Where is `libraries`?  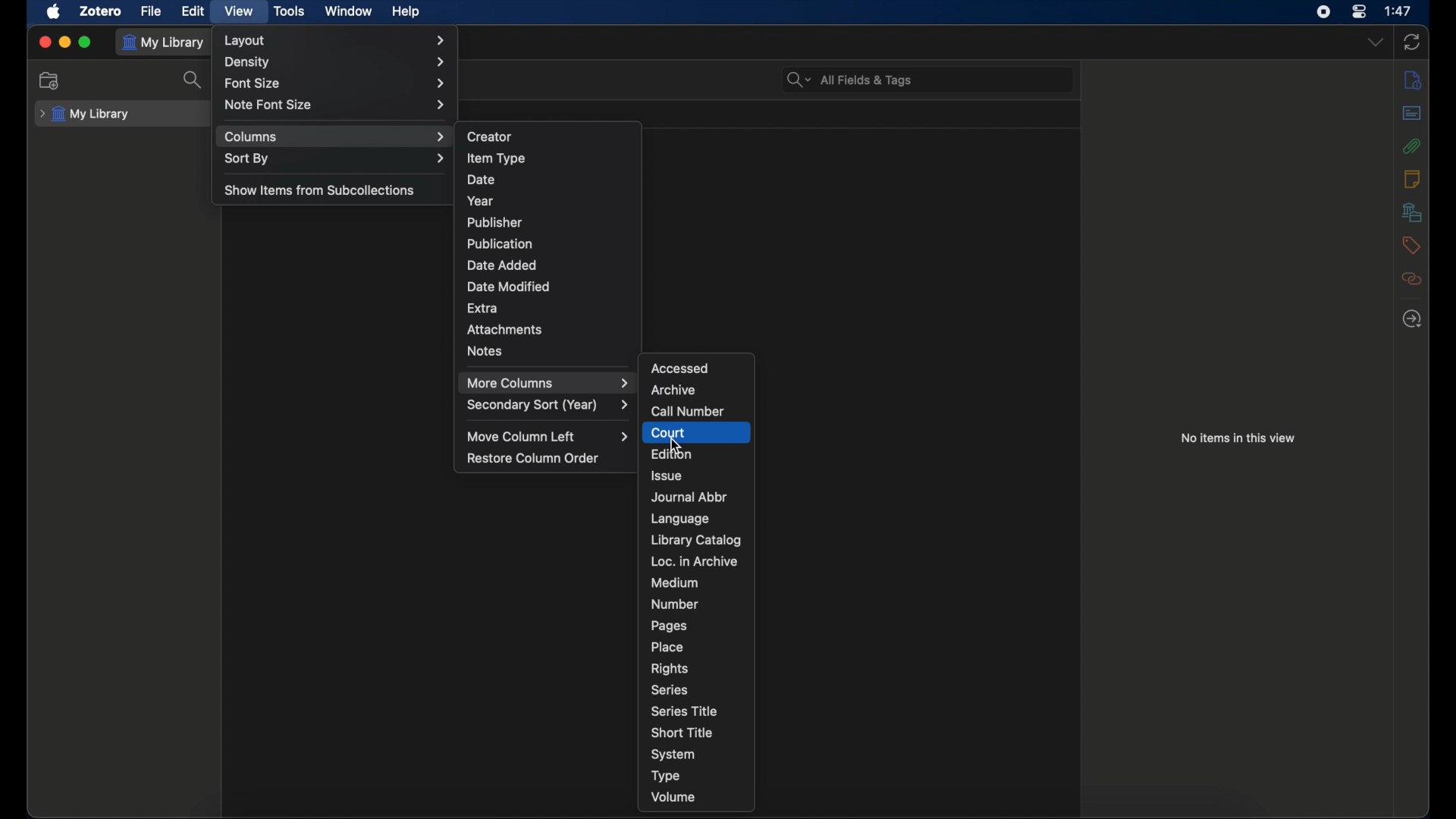 libraries is located at coordinates (1412, 212).